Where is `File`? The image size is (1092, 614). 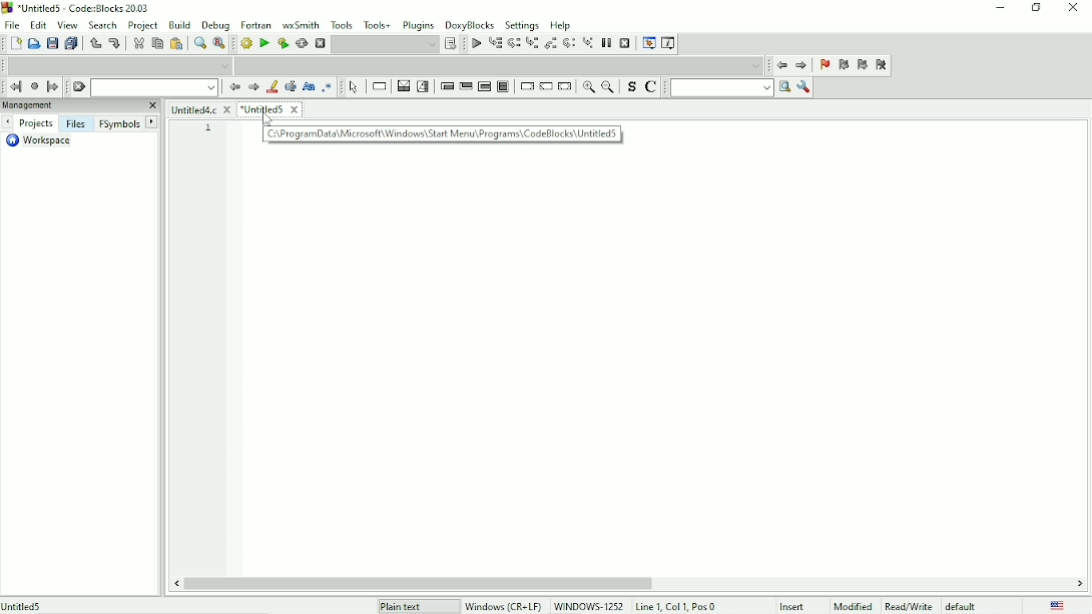
File is located at coordinates (12, 25).